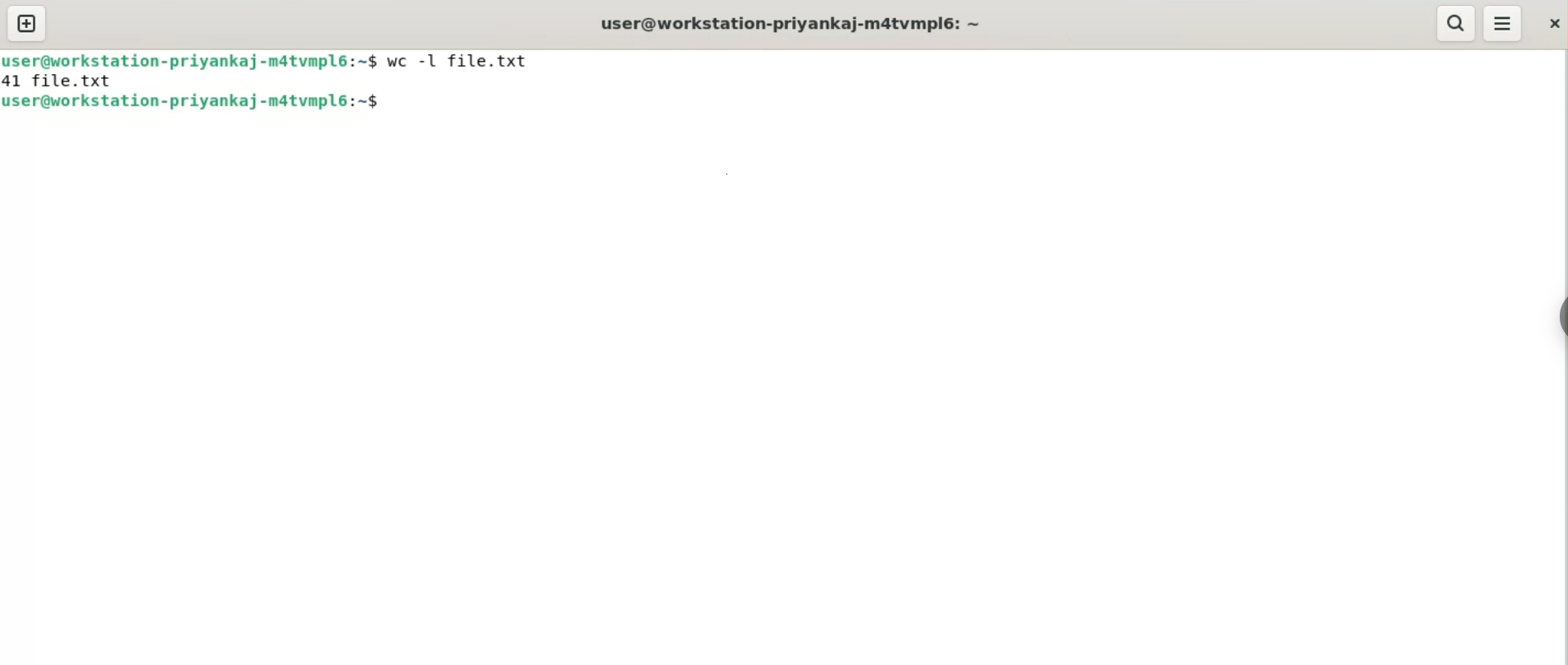  Describe the element at coordinates (791, 23) in the screenshot. I see `user@workstation-priyankaj-m4tvmpl6: ~` at that location.